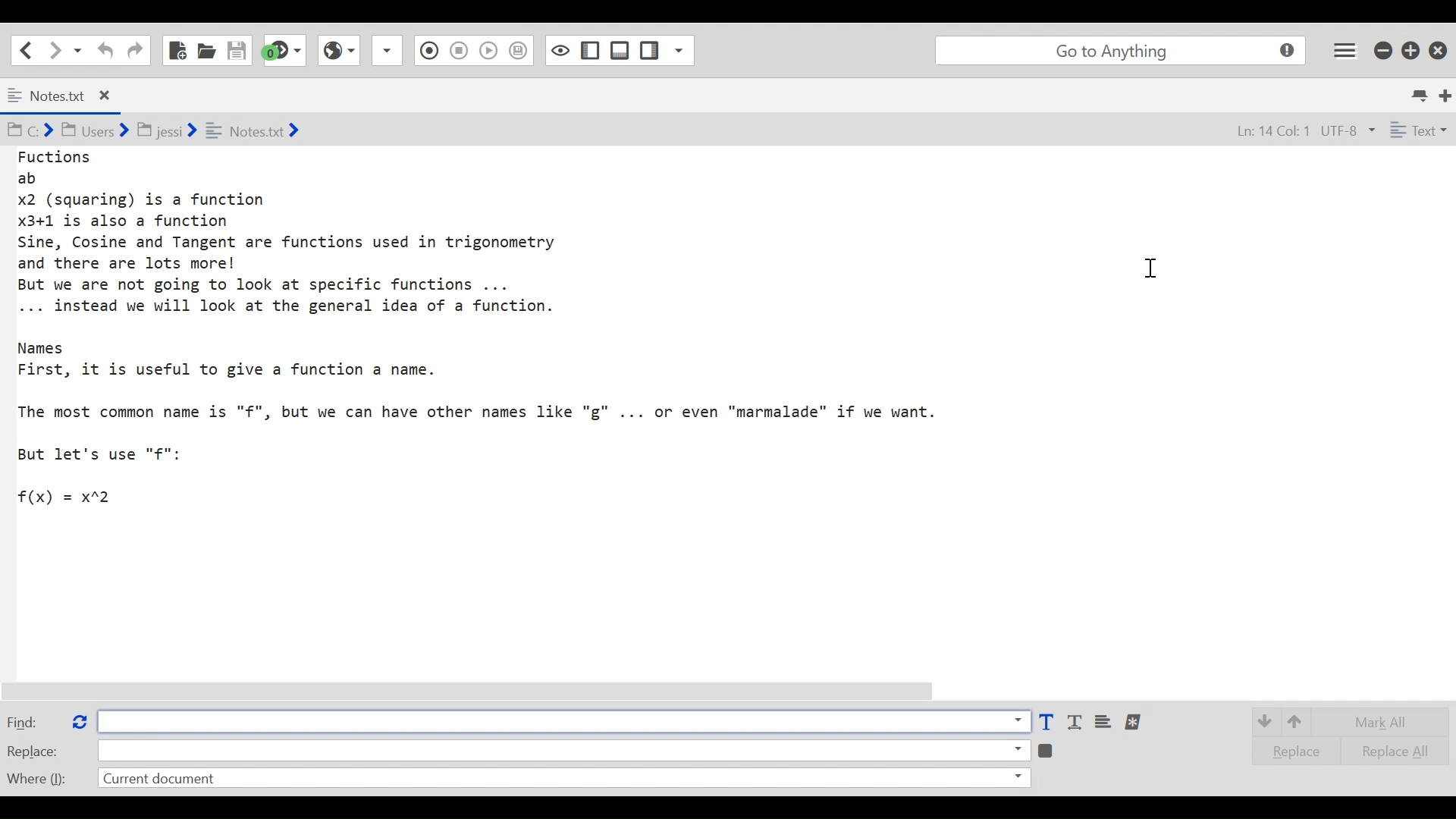  I want to click on Where Field, so click(563, 780).